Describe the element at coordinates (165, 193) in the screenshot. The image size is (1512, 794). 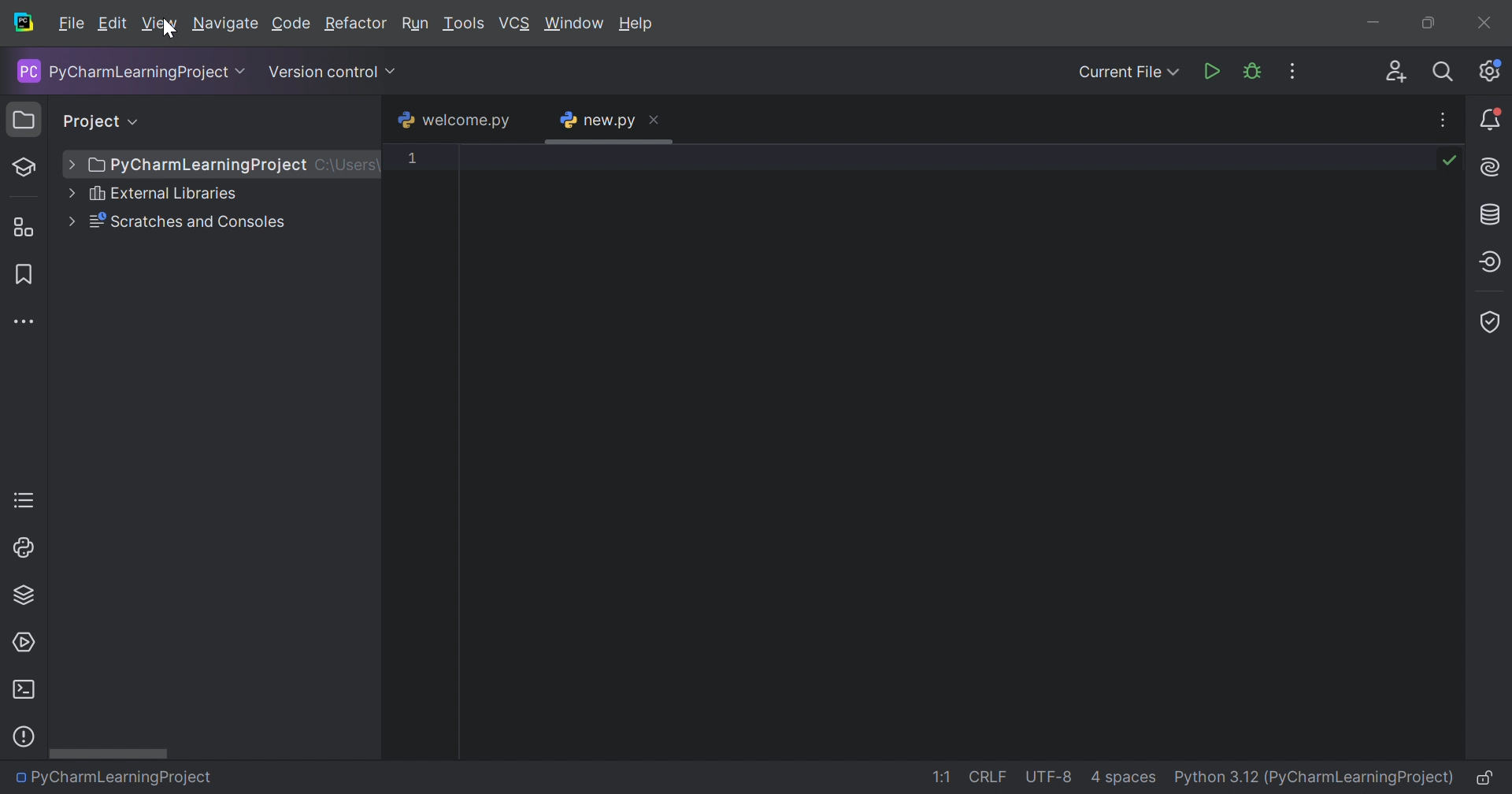
I see `External Libraries` at that location.